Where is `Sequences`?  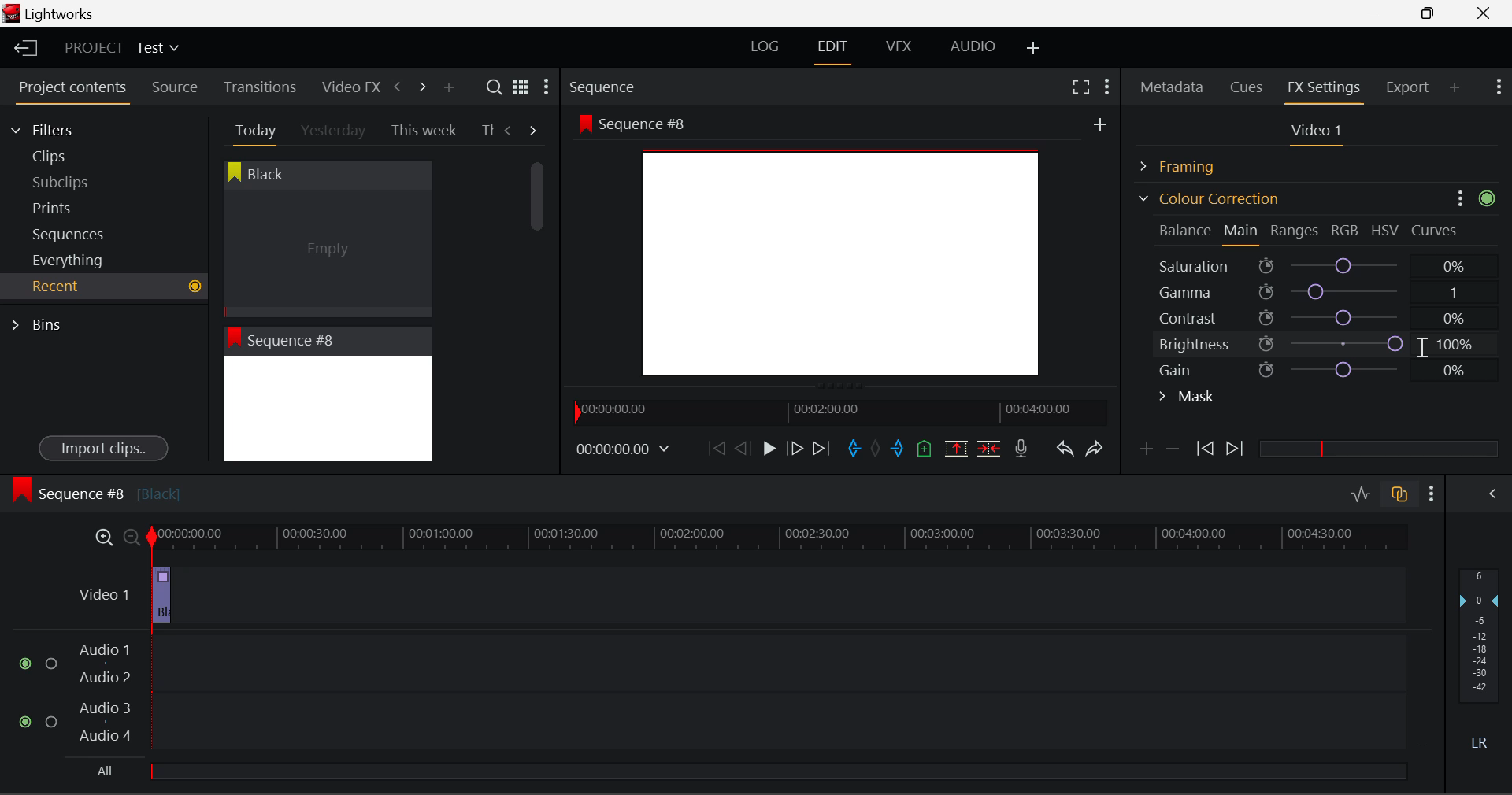
Sequences is located at coordinates (72, 232).